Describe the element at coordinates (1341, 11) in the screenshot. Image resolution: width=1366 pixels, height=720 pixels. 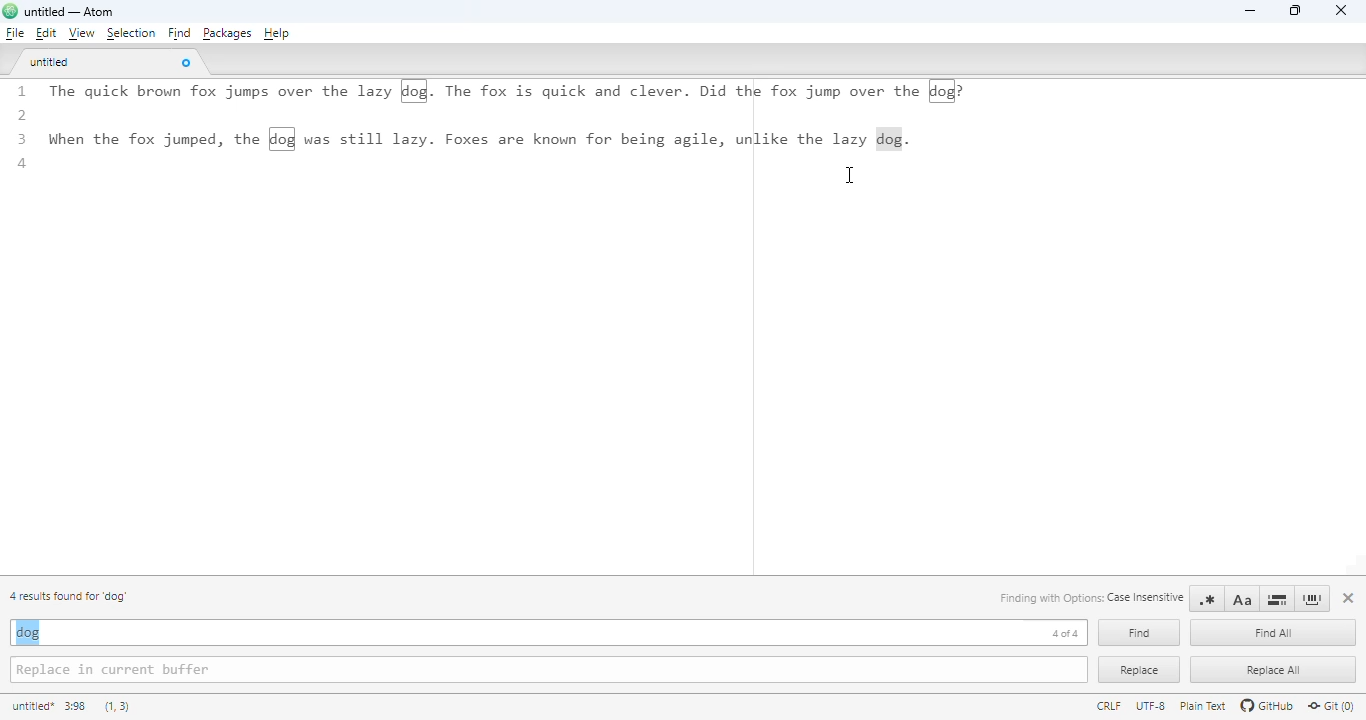
I see `close` at that location.